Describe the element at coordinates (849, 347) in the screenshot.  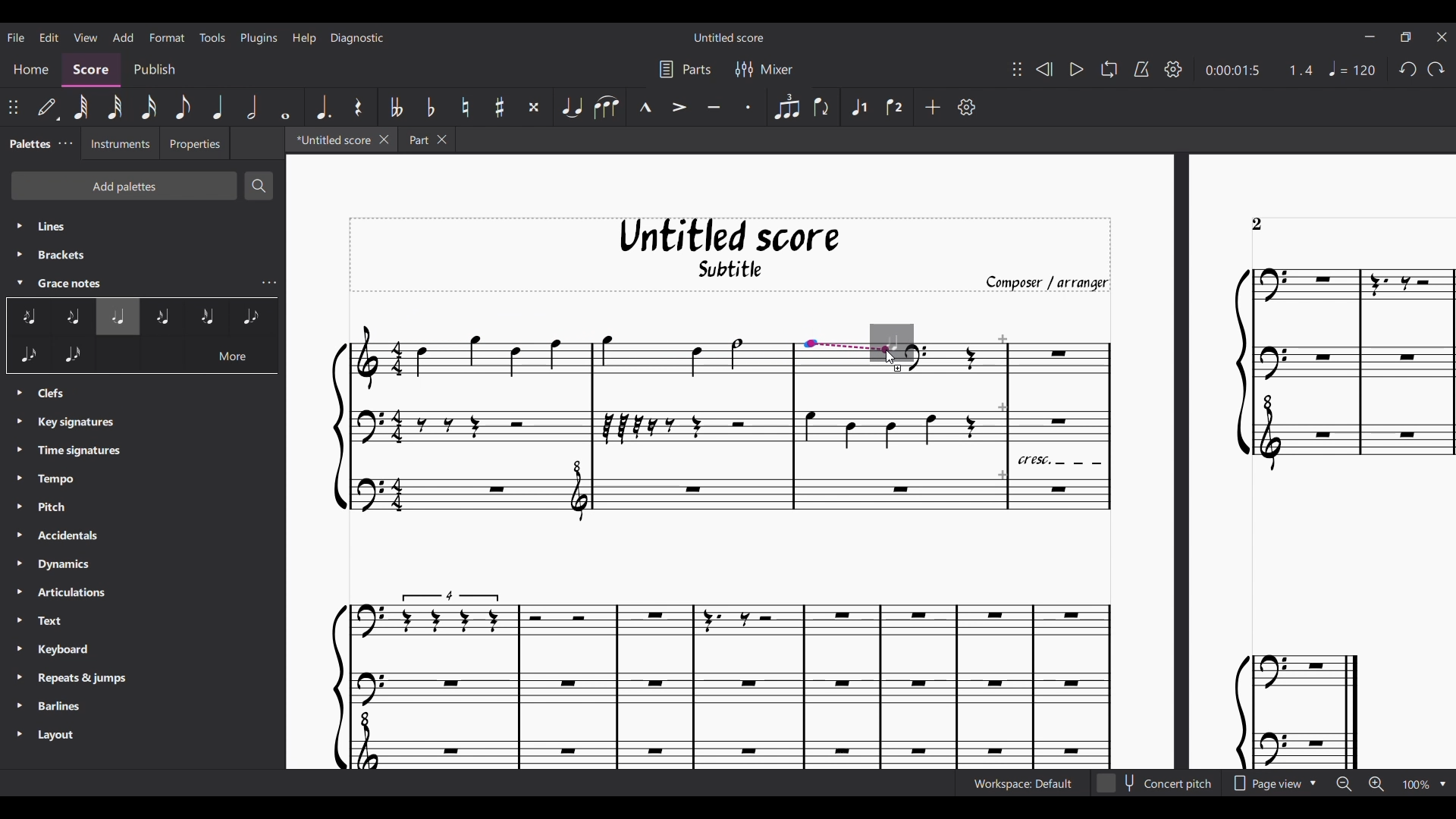
I see `Indicates note the grace note is going to get attached to` at that location.